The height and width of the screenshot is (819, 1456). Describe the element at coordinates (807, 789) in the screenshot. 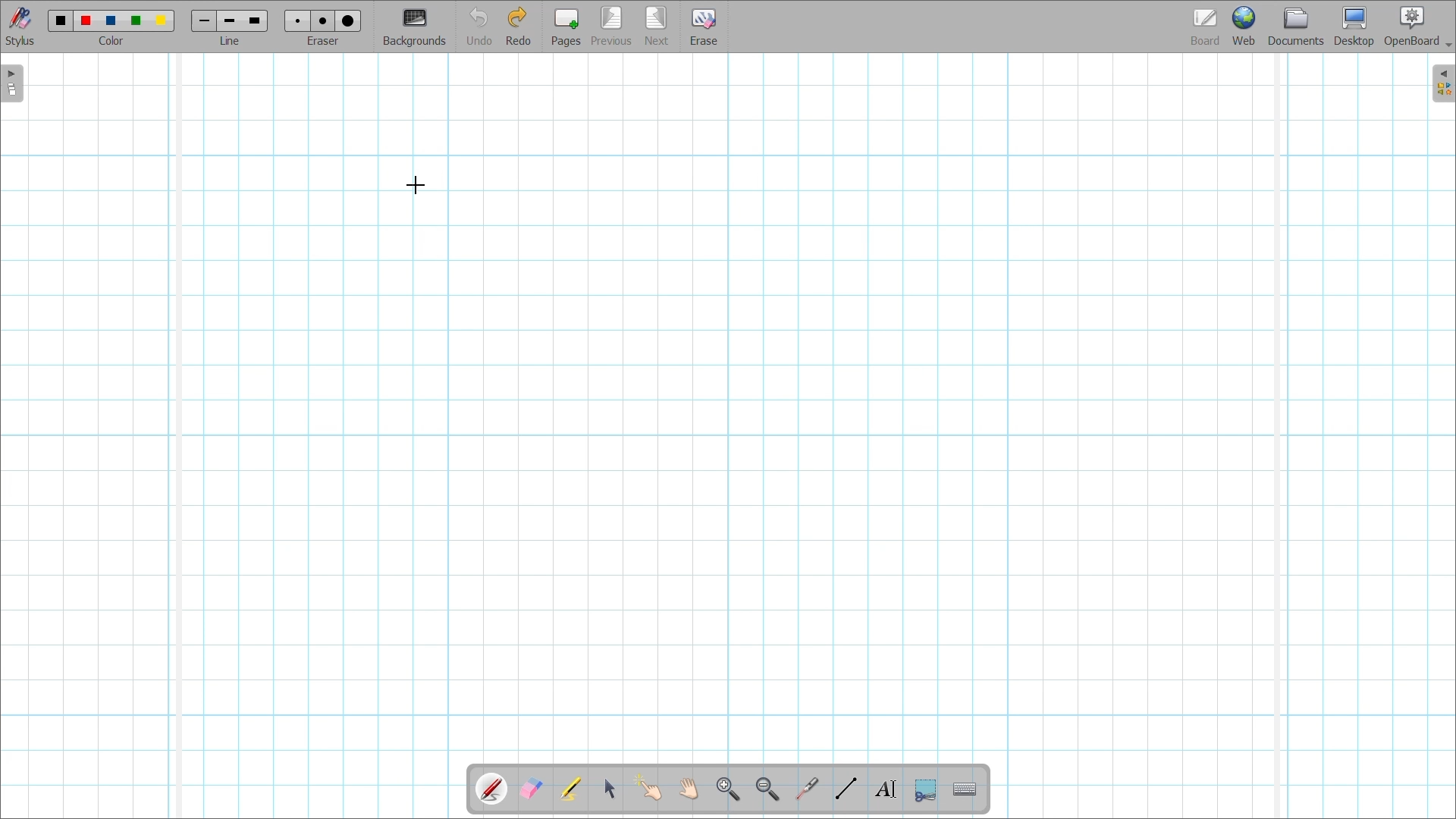

I see `Virtual laser pointer` at that location.